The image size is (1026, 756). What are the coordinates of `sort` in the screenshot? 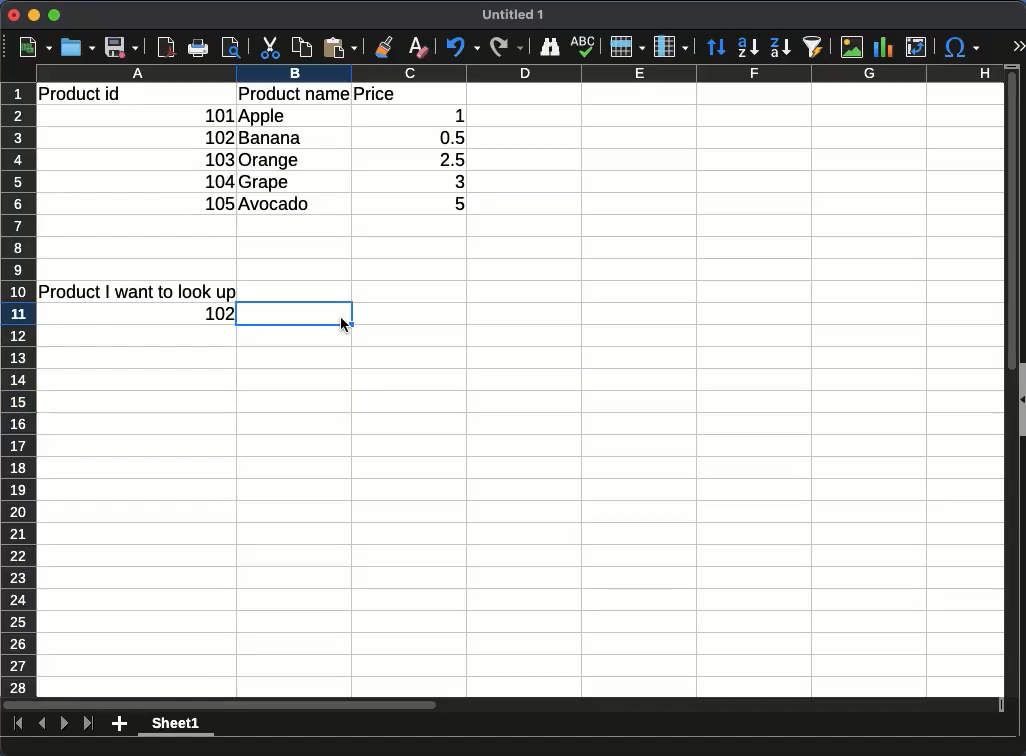 It's located at (716, 46).